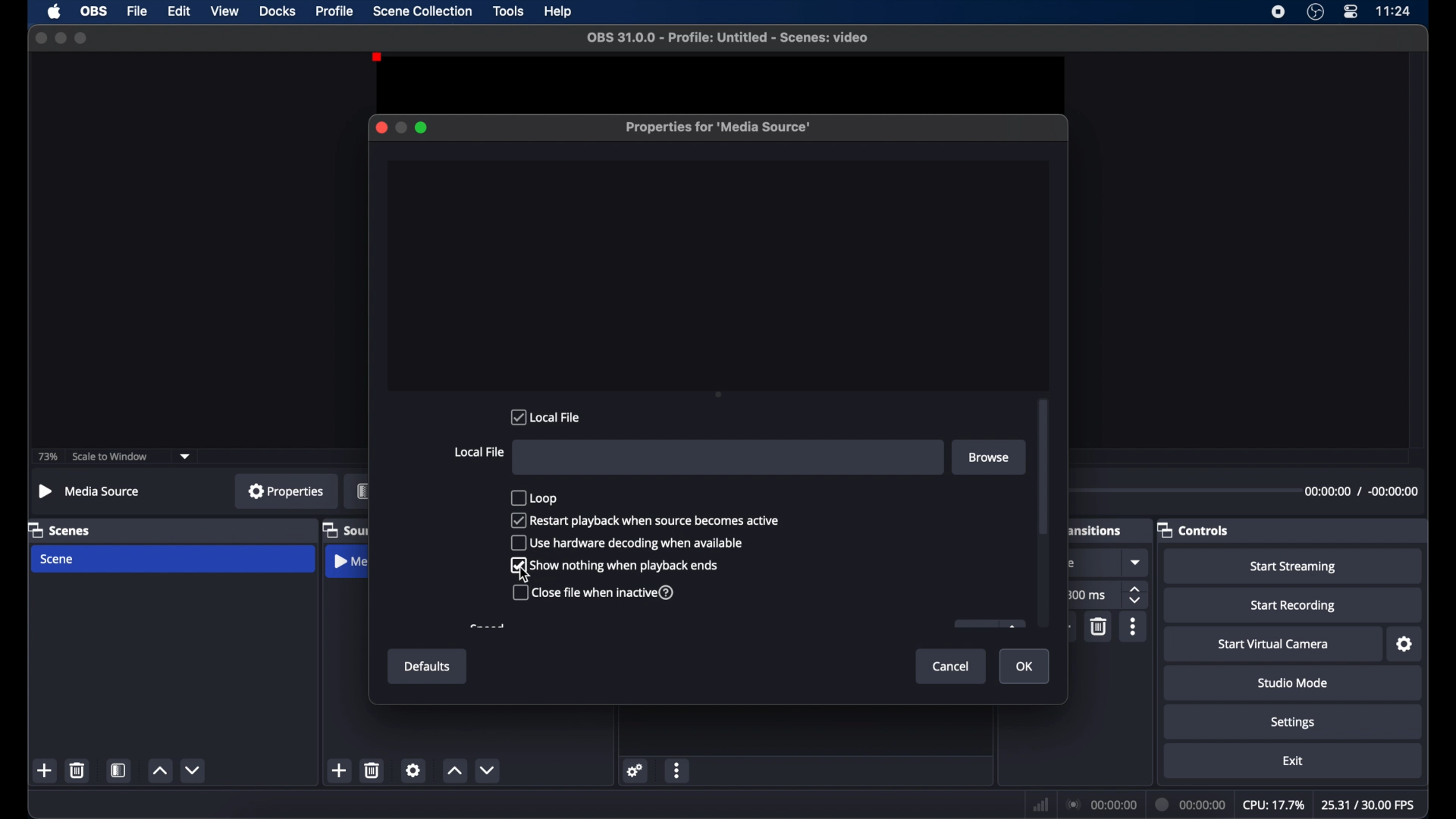 The image size is (1456, 819). I want to click on timestamp, so click(1362, 491).